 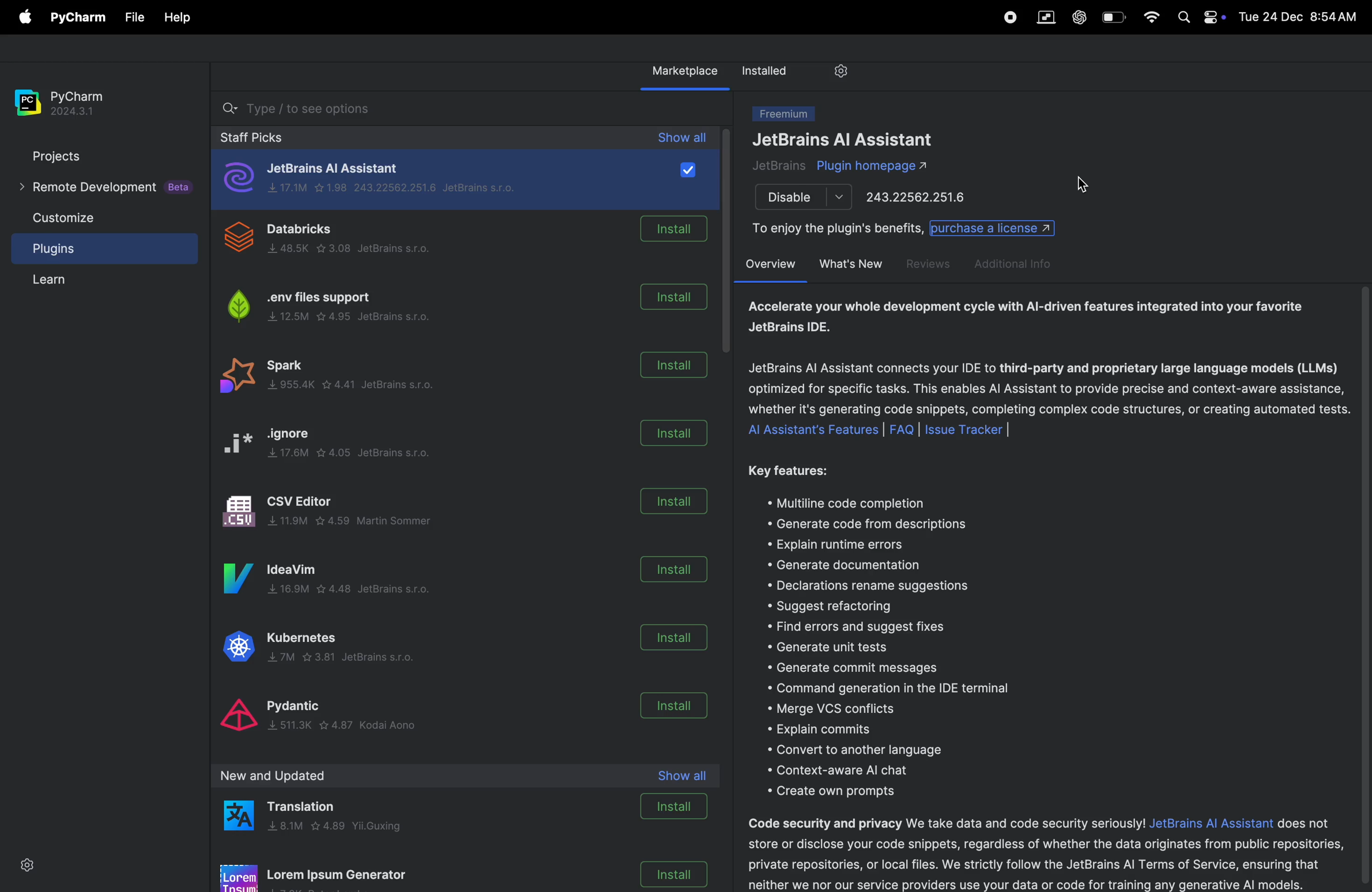 What do you see at coordinates (673, 645) in the screenshot?
I see `install` at bounding box center [673, 645].